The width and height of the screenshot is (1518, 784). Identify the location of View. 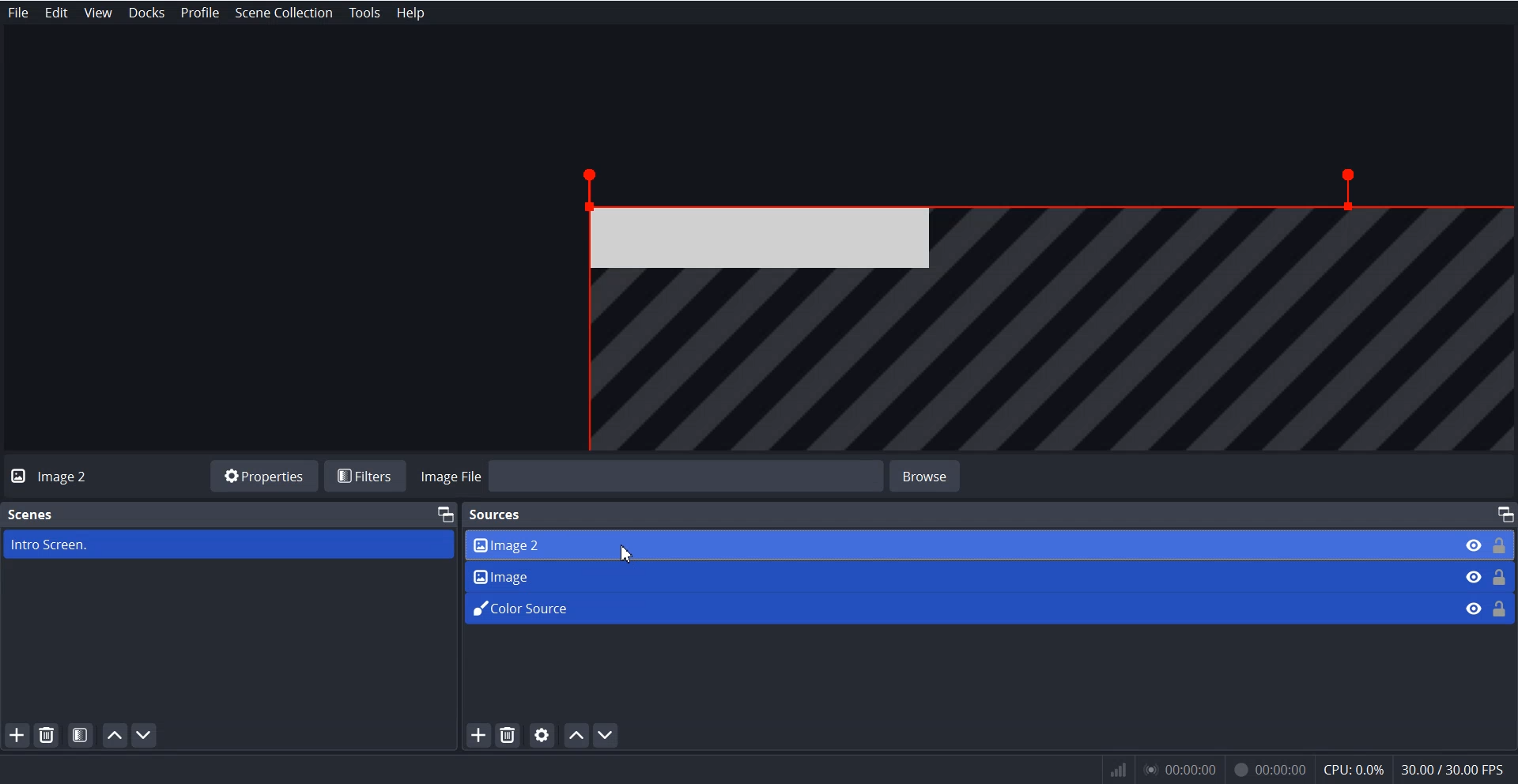
(98, 13).